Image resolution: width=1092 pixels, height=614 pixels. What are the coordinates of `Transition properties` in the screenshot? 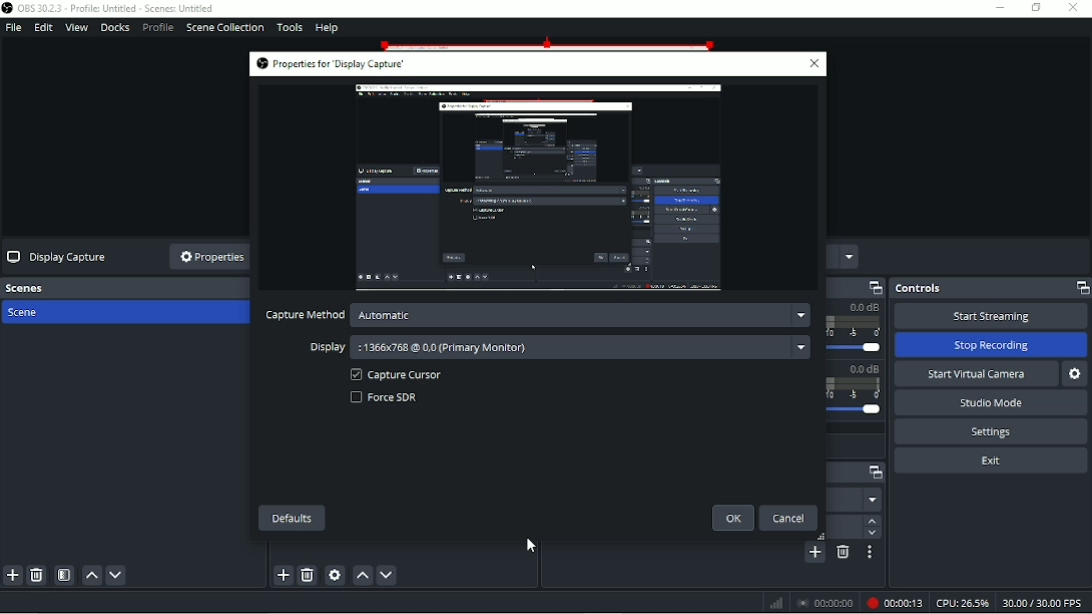 It's located at (872, 553).